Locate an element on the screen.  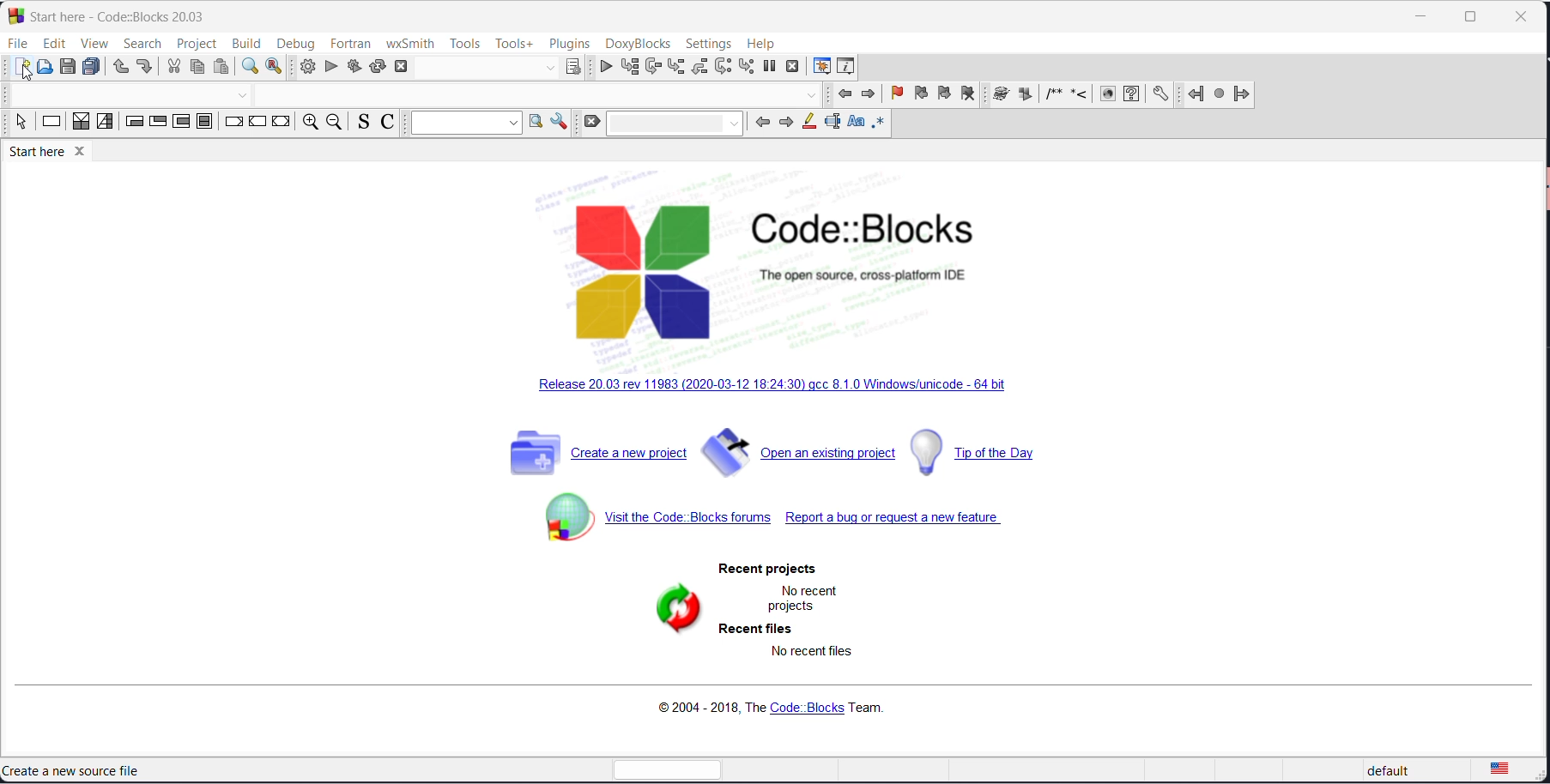
rebuild is located at coordinates (377, 66).